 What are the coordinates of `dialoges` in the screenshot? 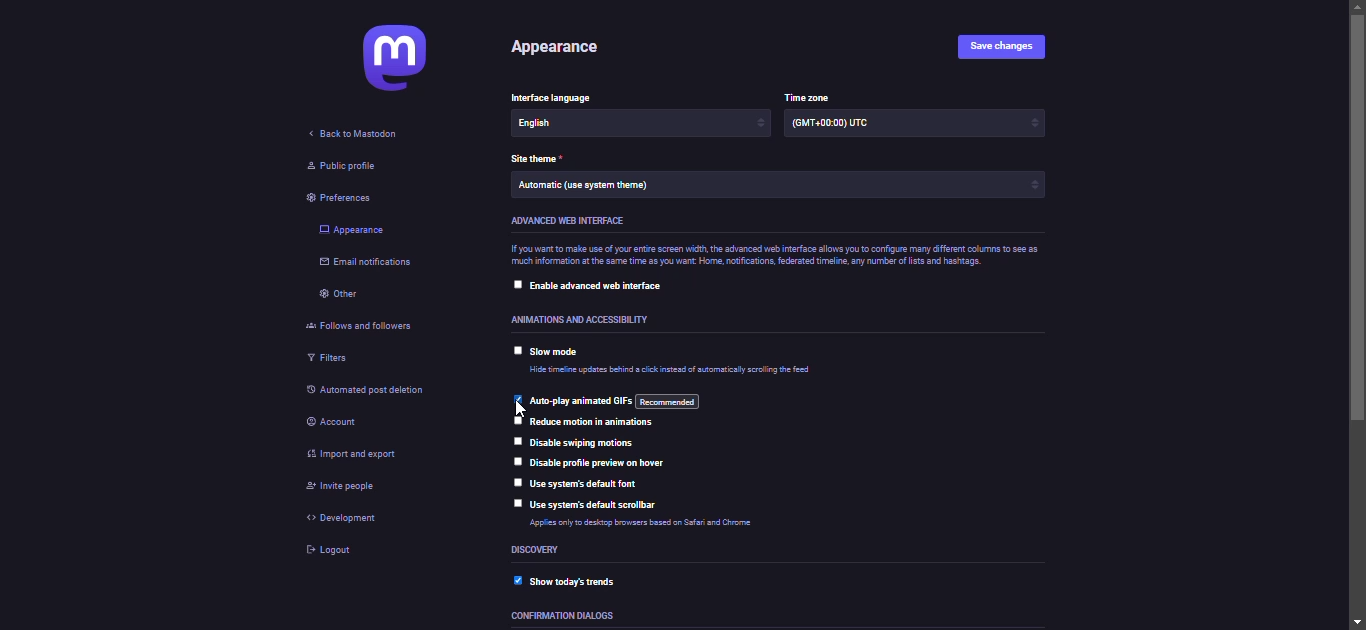 It's located at (564, 617).